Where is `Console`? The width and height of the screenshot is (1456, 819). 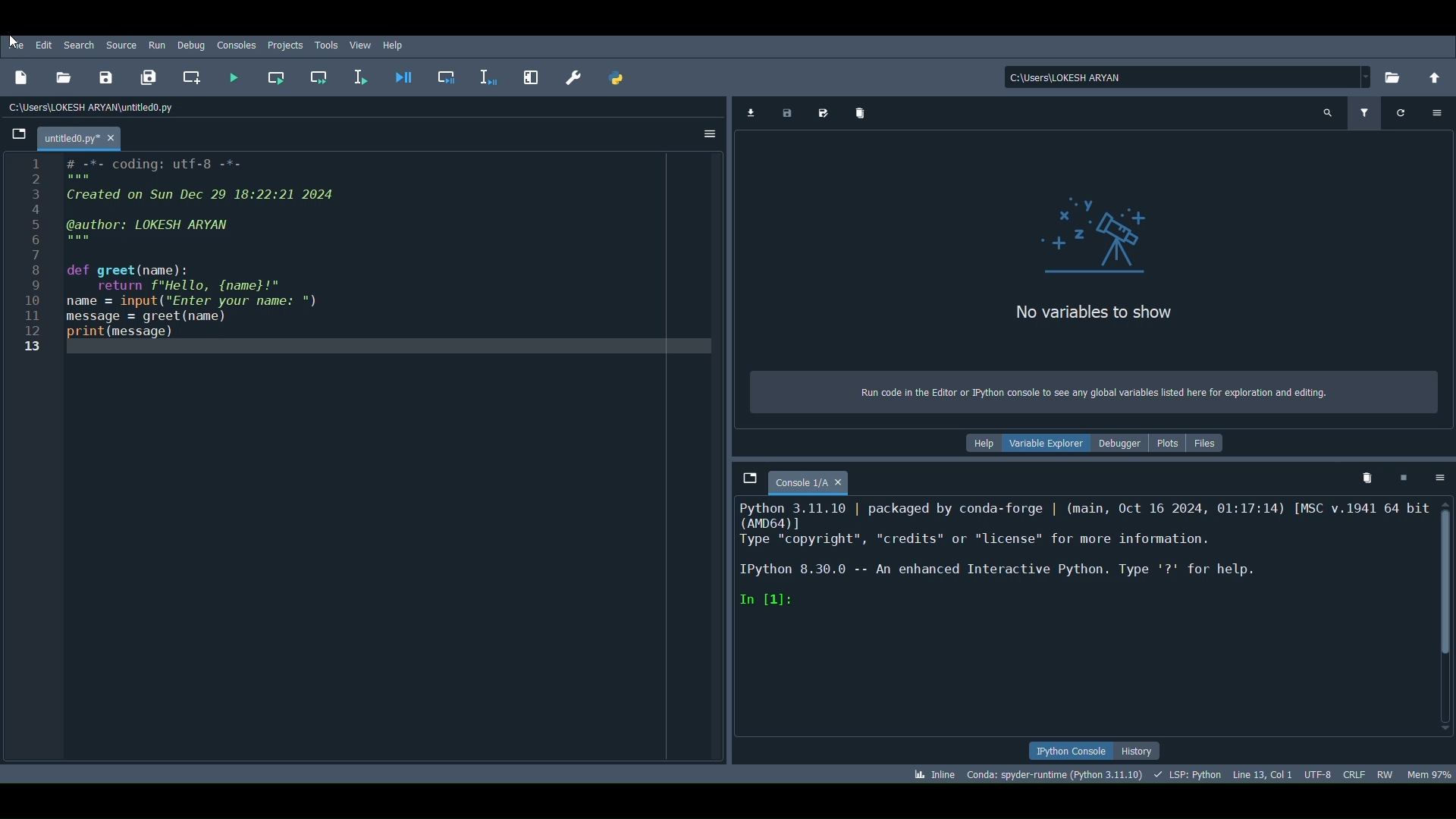
Console is located at coordinates (814, 482).